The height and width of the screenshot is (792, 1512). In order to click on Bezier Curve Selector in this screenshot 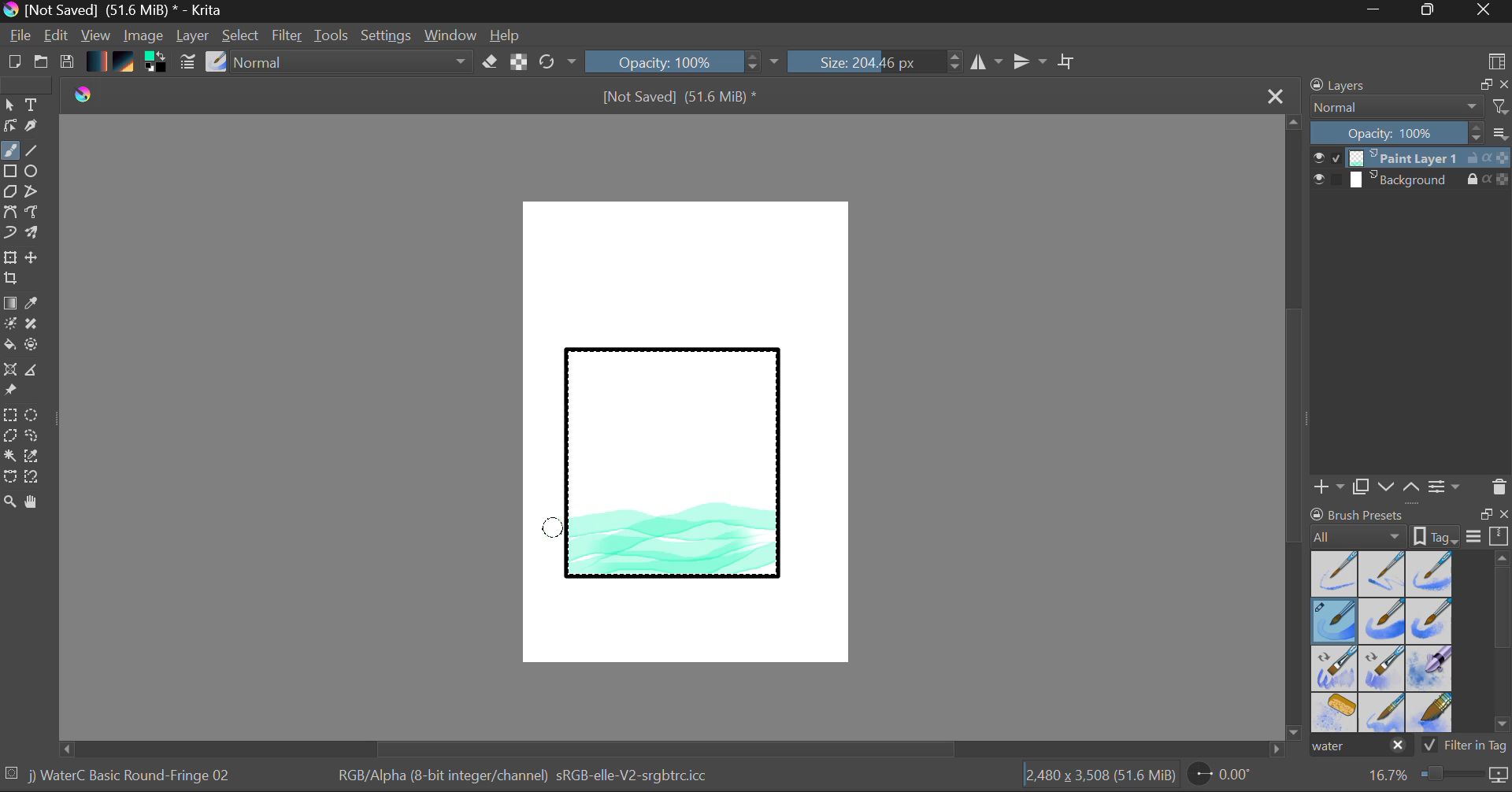, I will do `click(9, 478)`.